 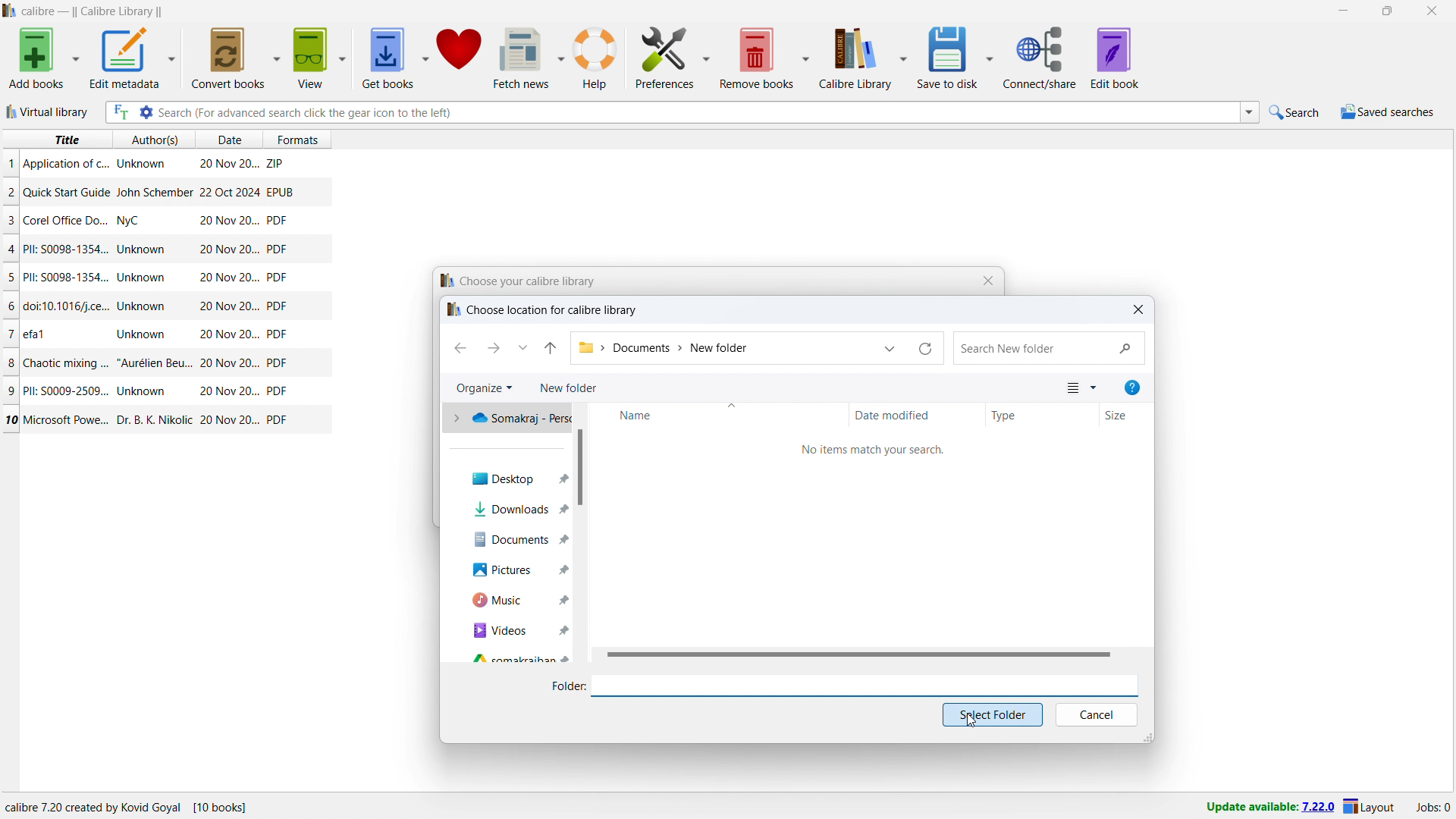 I want to click on previous locations, so click(x=890, y=348).